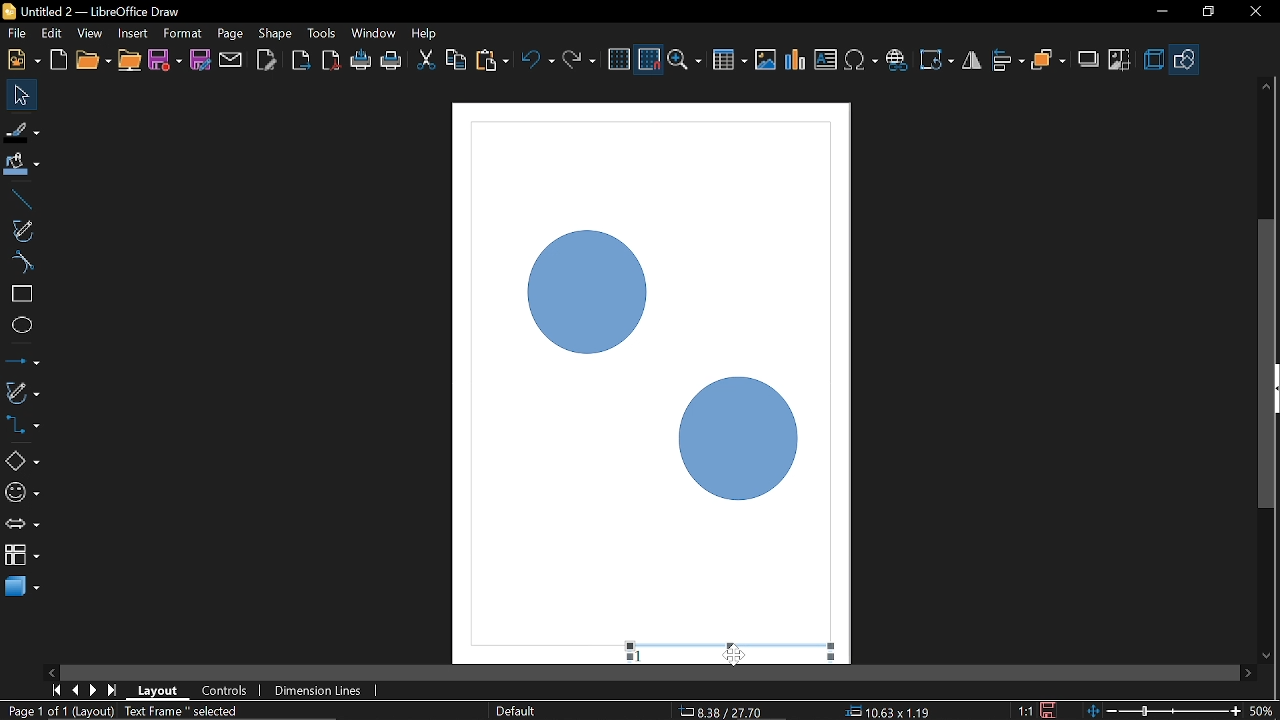 The width and height of the screenshot is (1280, 720). I want to click on Minimize, so click(1159, 13).